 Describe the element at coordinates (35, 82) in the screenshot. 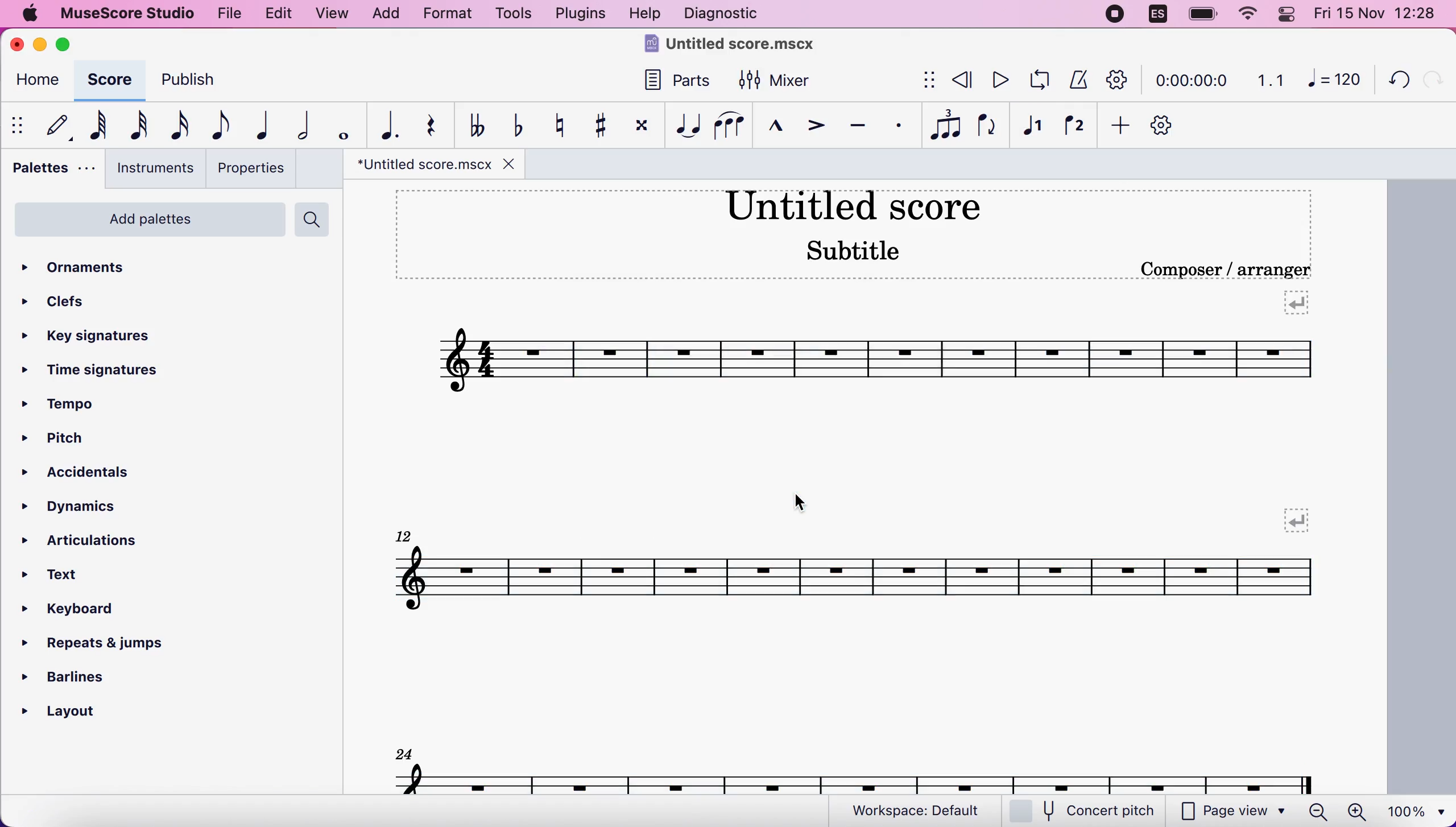

I see `home` at that location.